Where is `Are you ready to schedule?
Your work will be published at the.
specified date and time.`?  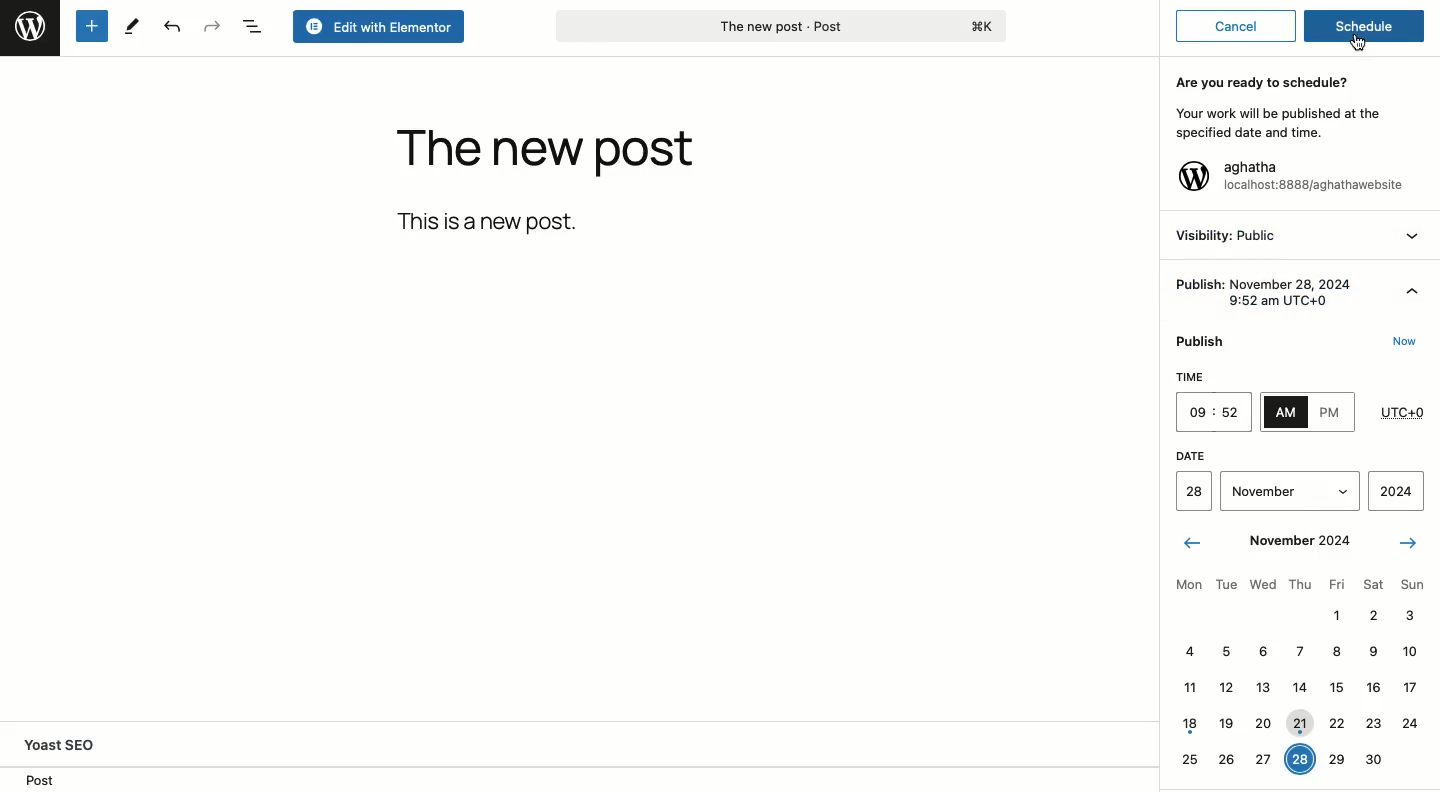 Are you ready to schedule?
Your work will be published at the.
specified date and time. is located at coordinates (1274, 106).